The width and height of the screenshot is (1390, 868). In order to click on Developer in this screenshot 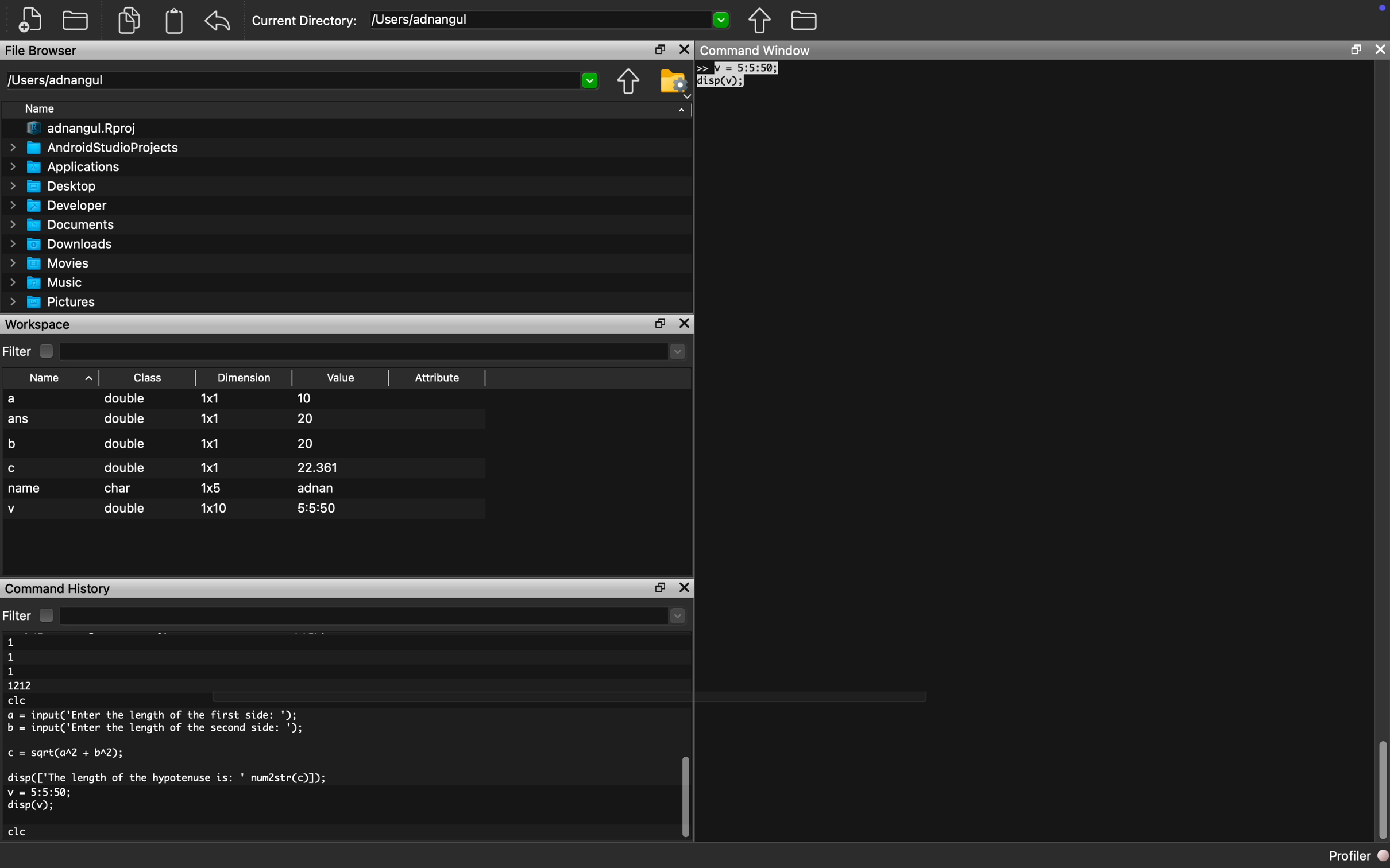, I will do `click(54, 205)`.